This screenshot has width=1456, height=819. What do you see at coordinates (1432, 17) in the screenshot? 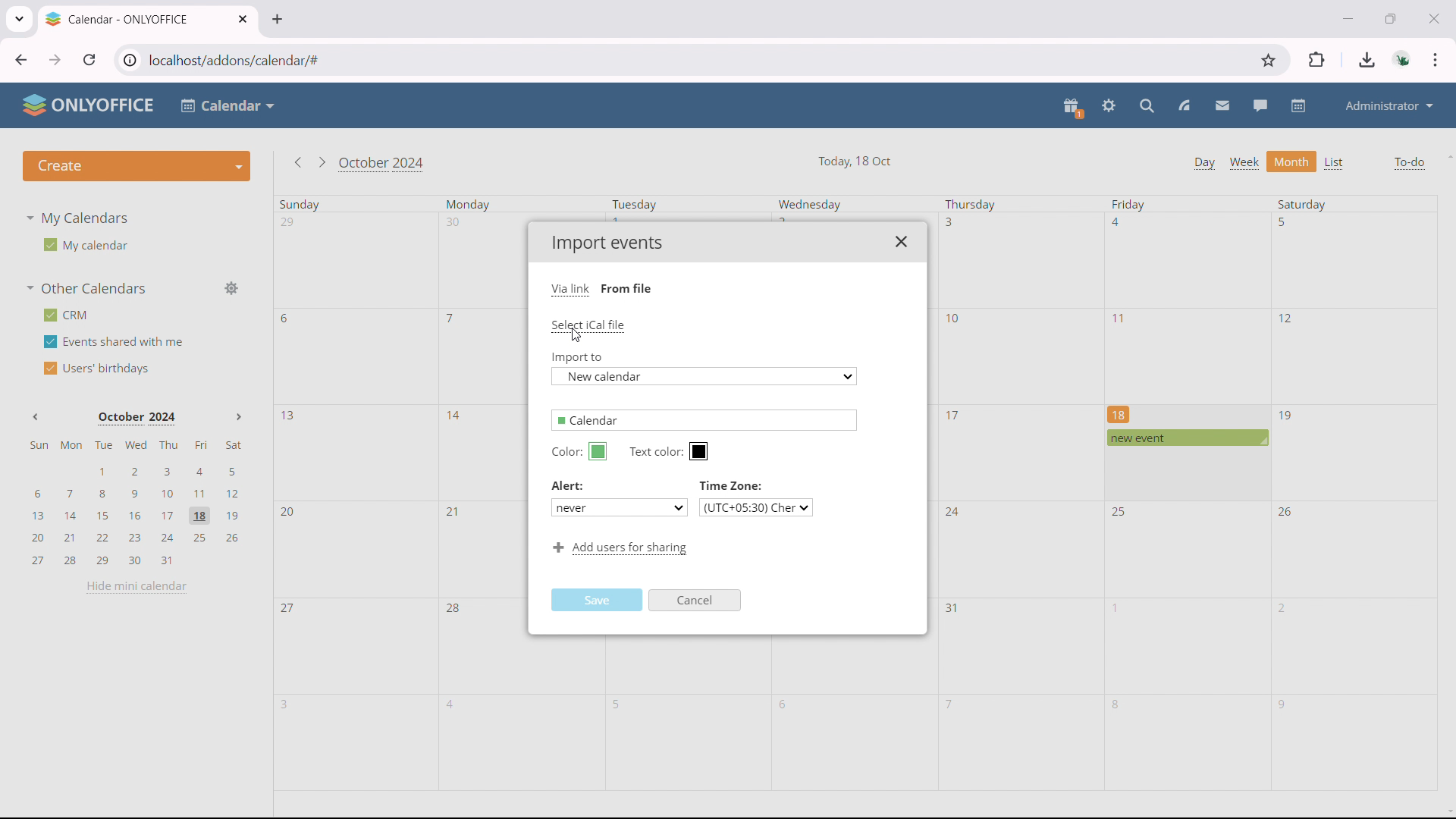
I see `close` at bounding box center [1432, 17].